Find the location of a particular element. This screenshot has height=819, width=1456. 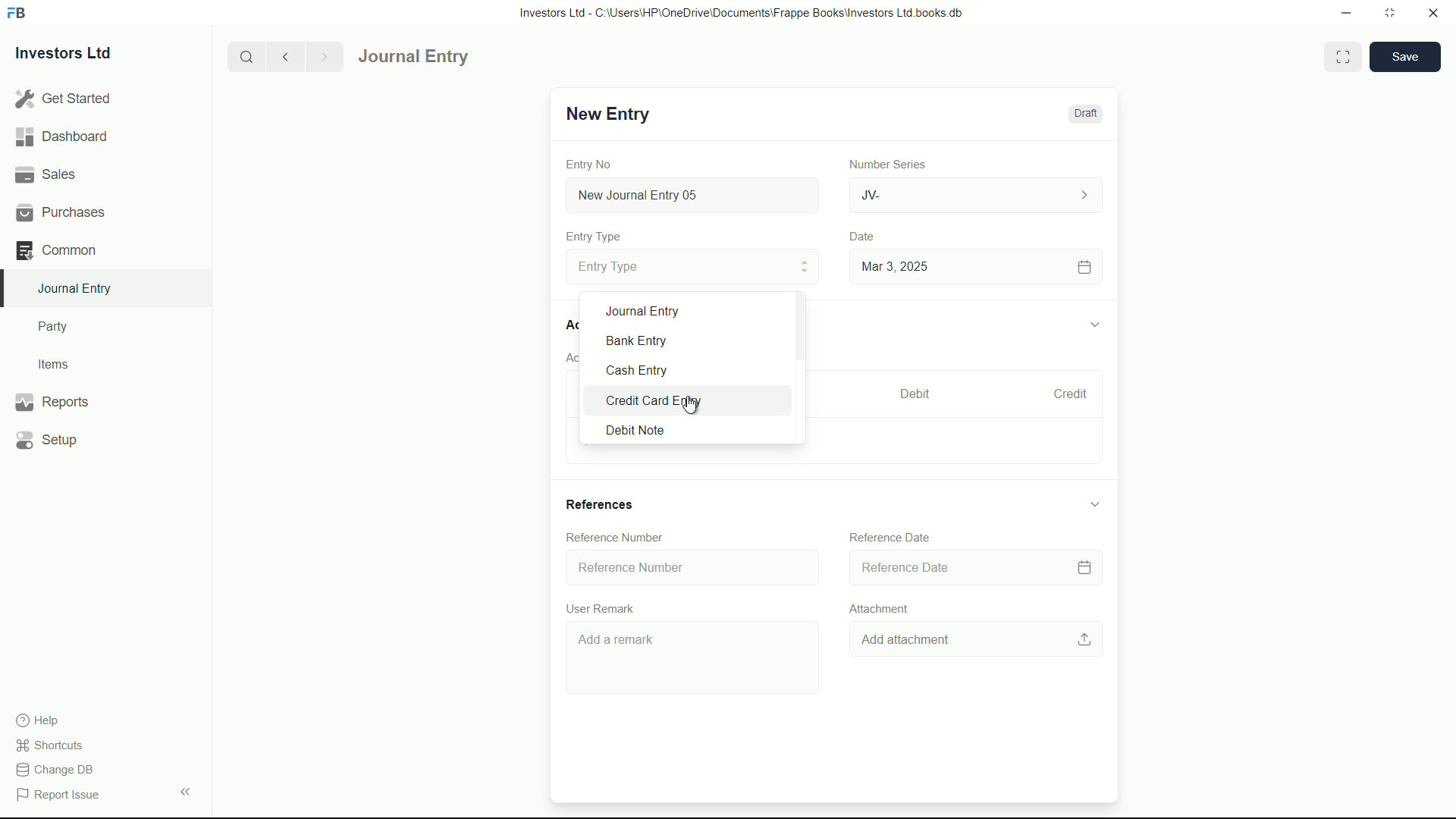

Attachment is located at coordinates (880, 608).